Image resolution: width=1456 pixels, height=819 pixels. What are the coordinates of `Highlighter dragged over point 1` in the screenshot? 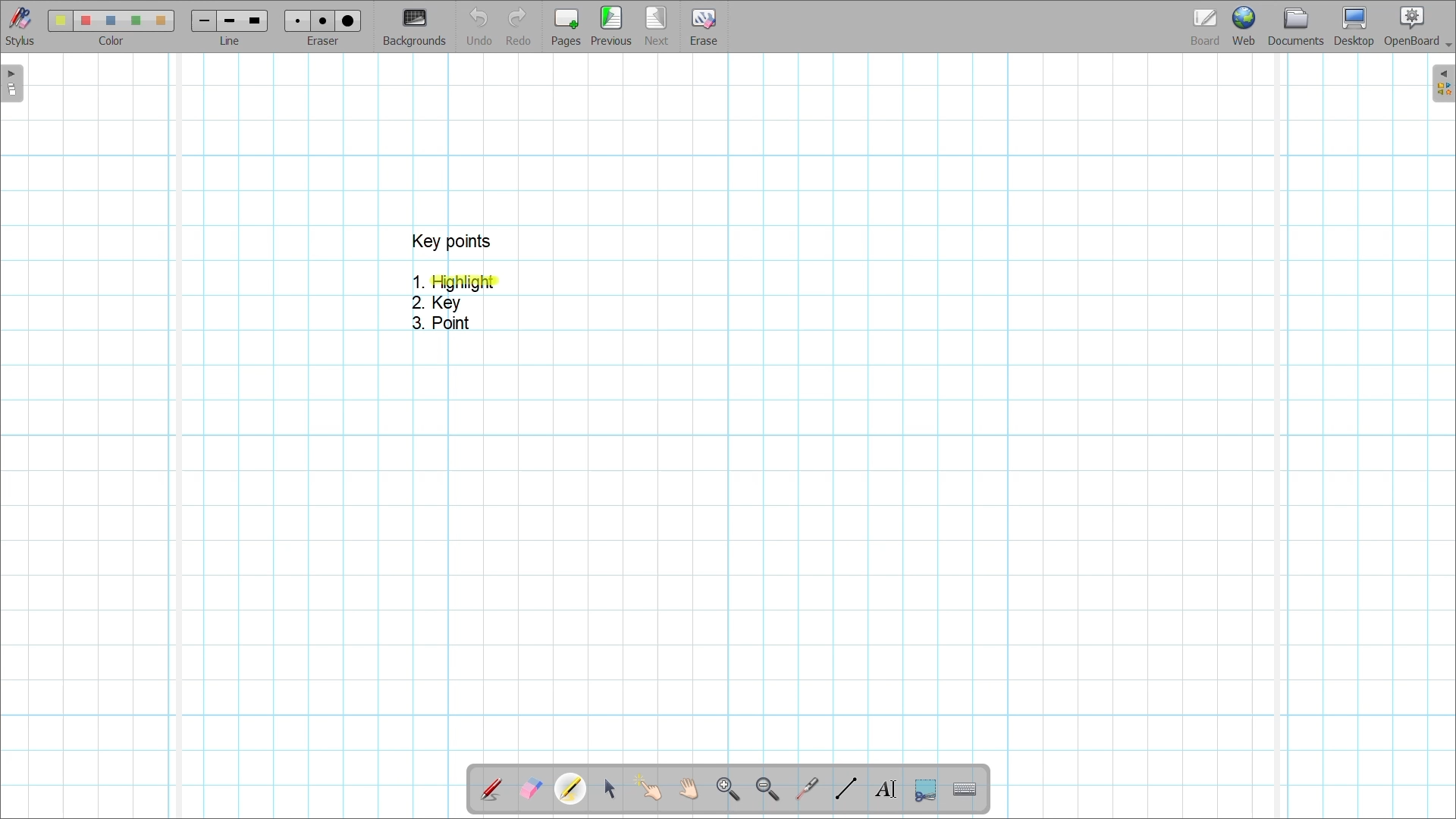 It's located at (464, 283).